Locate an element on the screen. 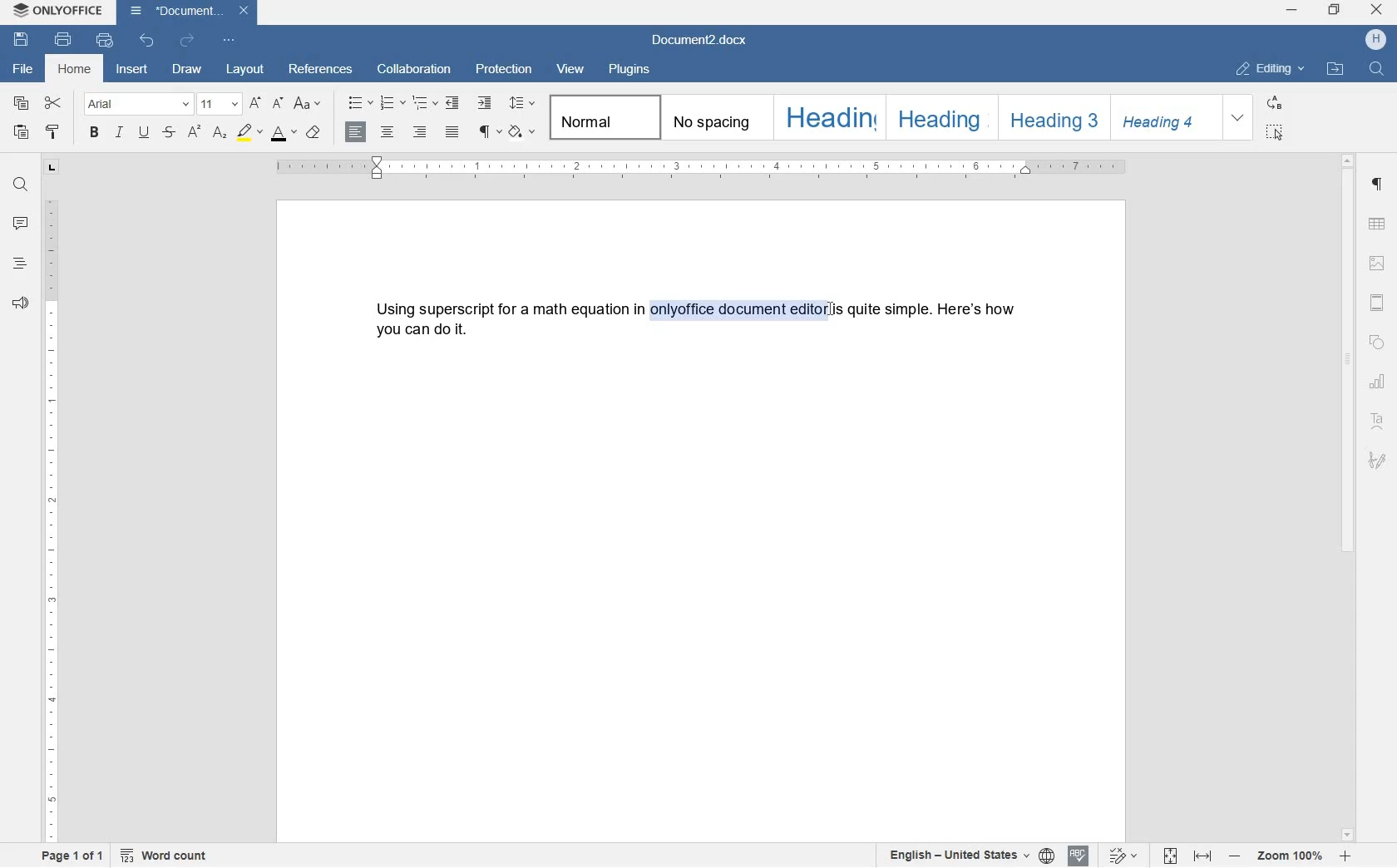 The width and height of the screenshot is (1397, 868). OPEN FILE LOCATION is located at coordinates (1337, 72).